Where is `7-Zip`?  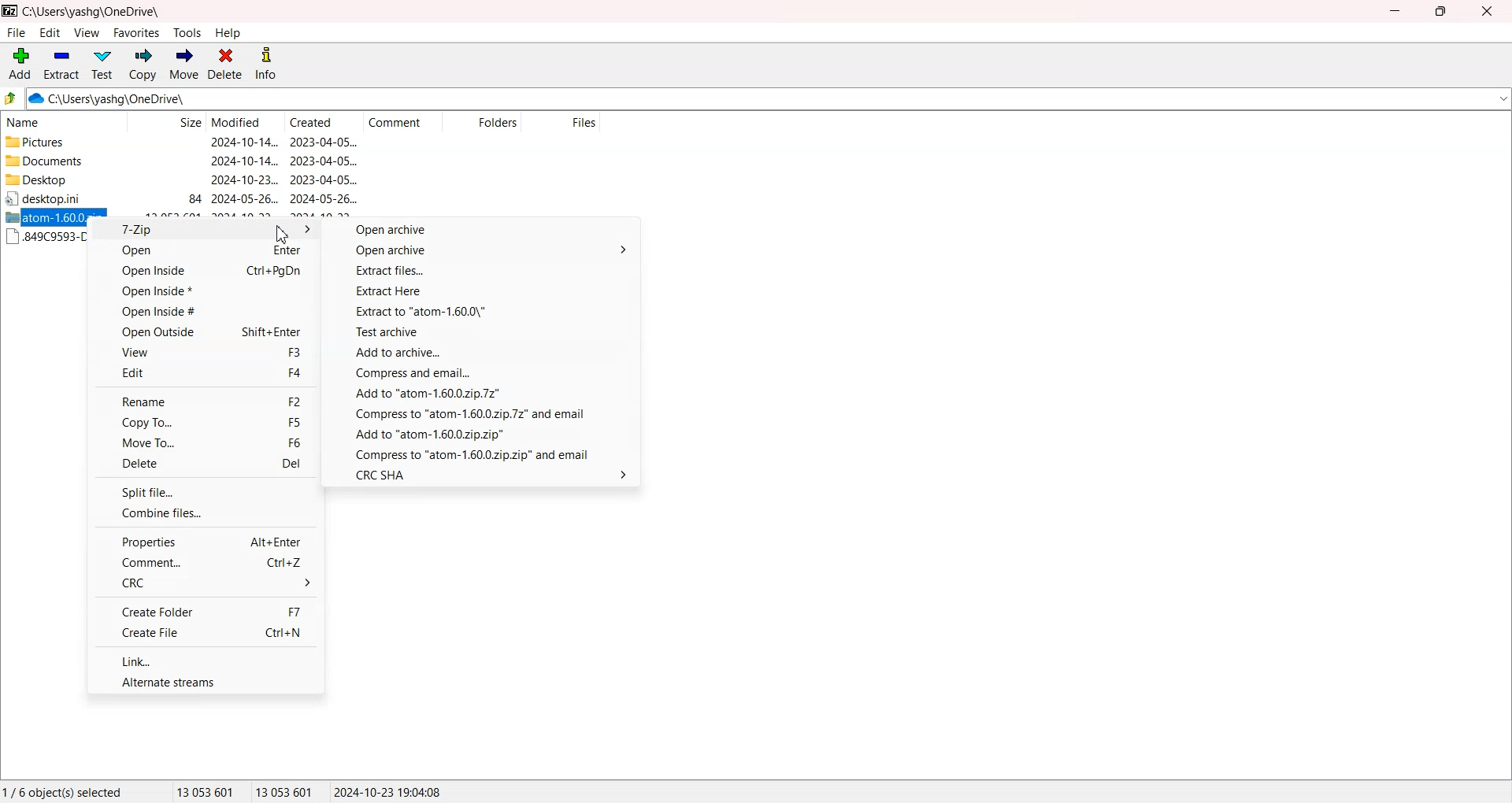 7-Zip is located at coordinates (205, 230).